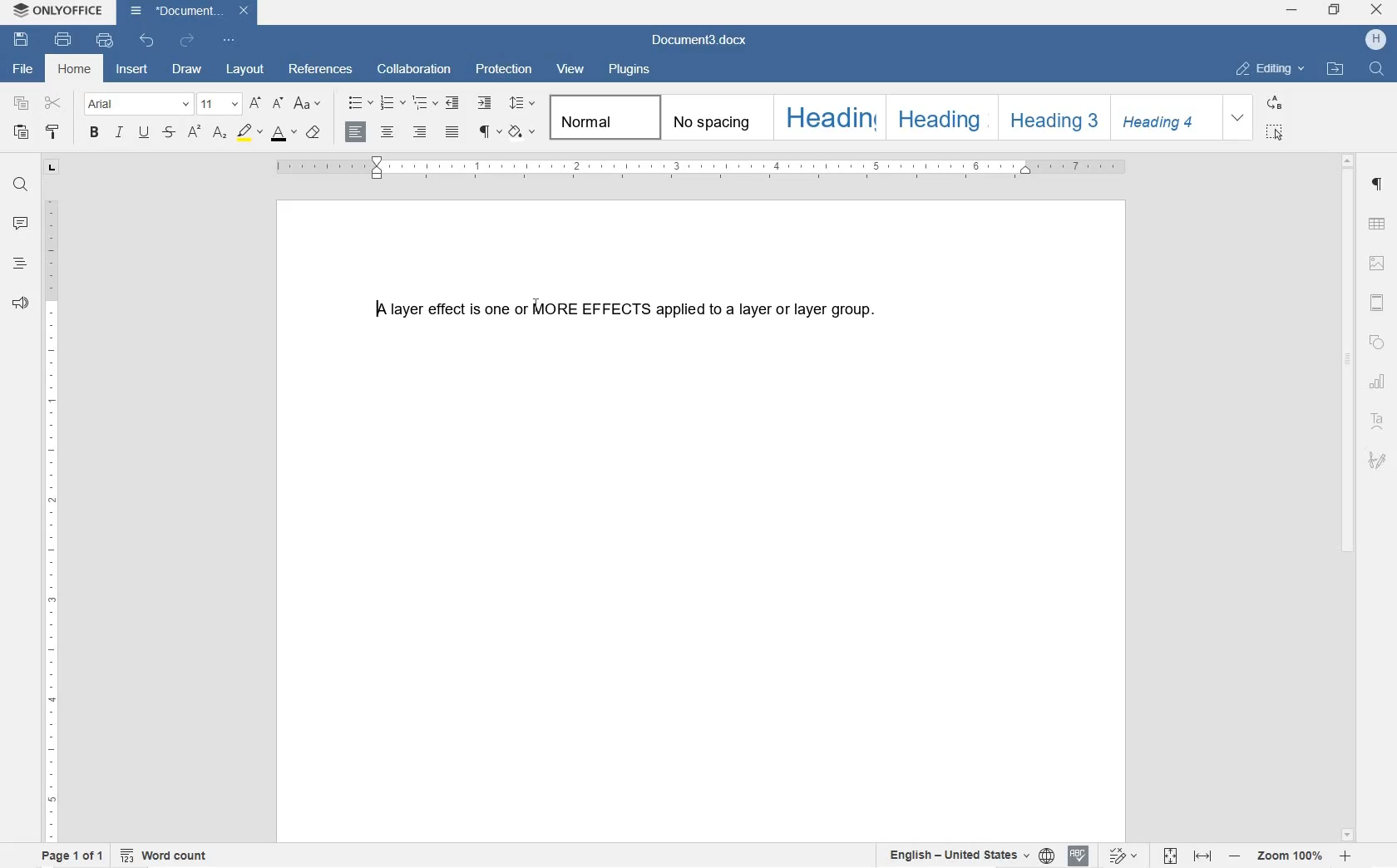  Describe the element at coordinates (1379, 420) in the screenshot. I see `TEXT ART` at that location.